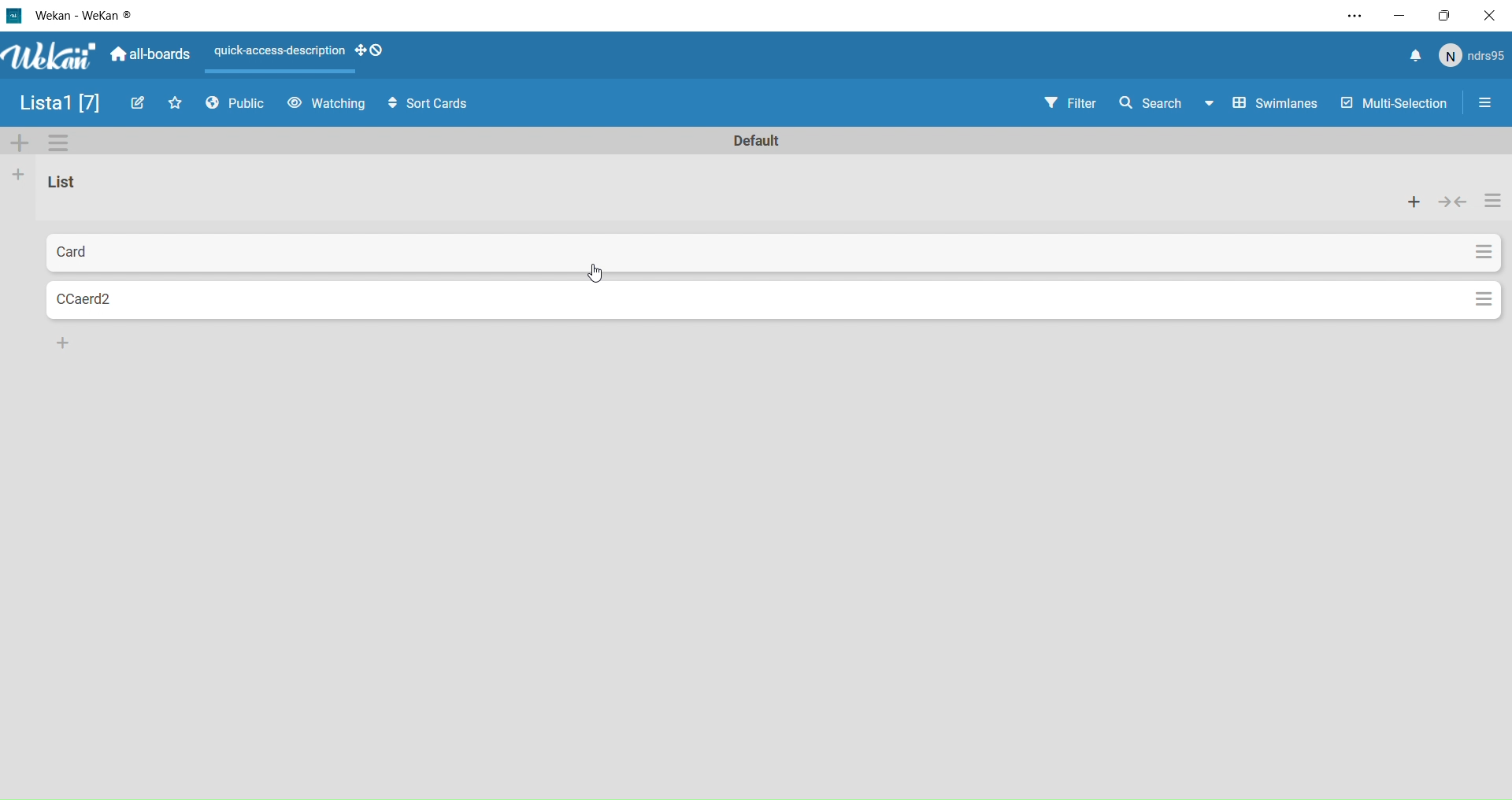 The height and width of the screenshot is (800, 1512). I want to click on Settings, so click(61, 143).